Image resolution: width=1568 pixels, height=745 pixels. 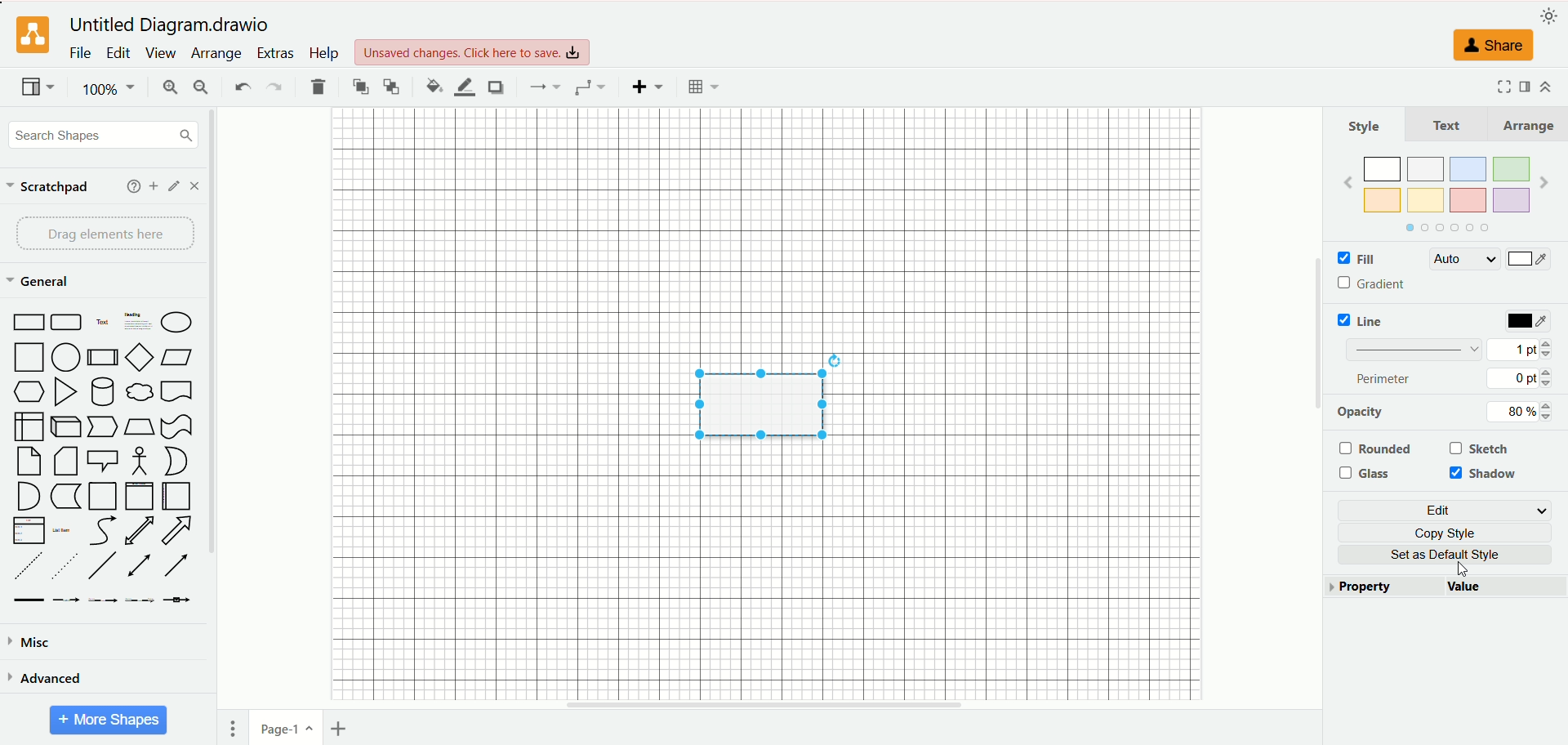 I want to click on color options navigate, so click(x=1444, y=228).